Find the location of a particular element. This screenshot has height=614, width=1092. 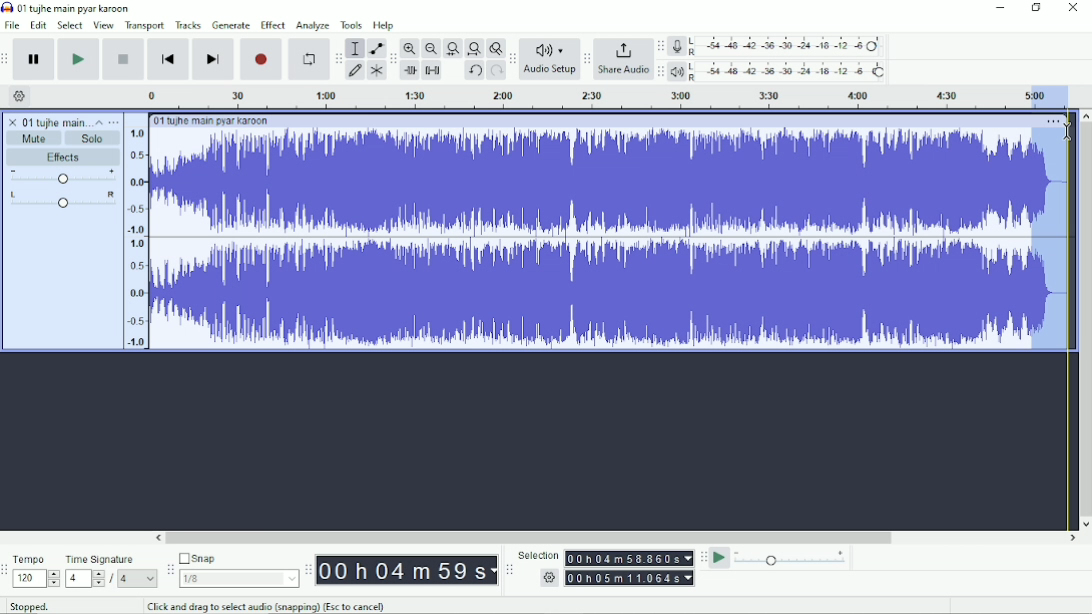

Transport is located at coordinates (144, 27).